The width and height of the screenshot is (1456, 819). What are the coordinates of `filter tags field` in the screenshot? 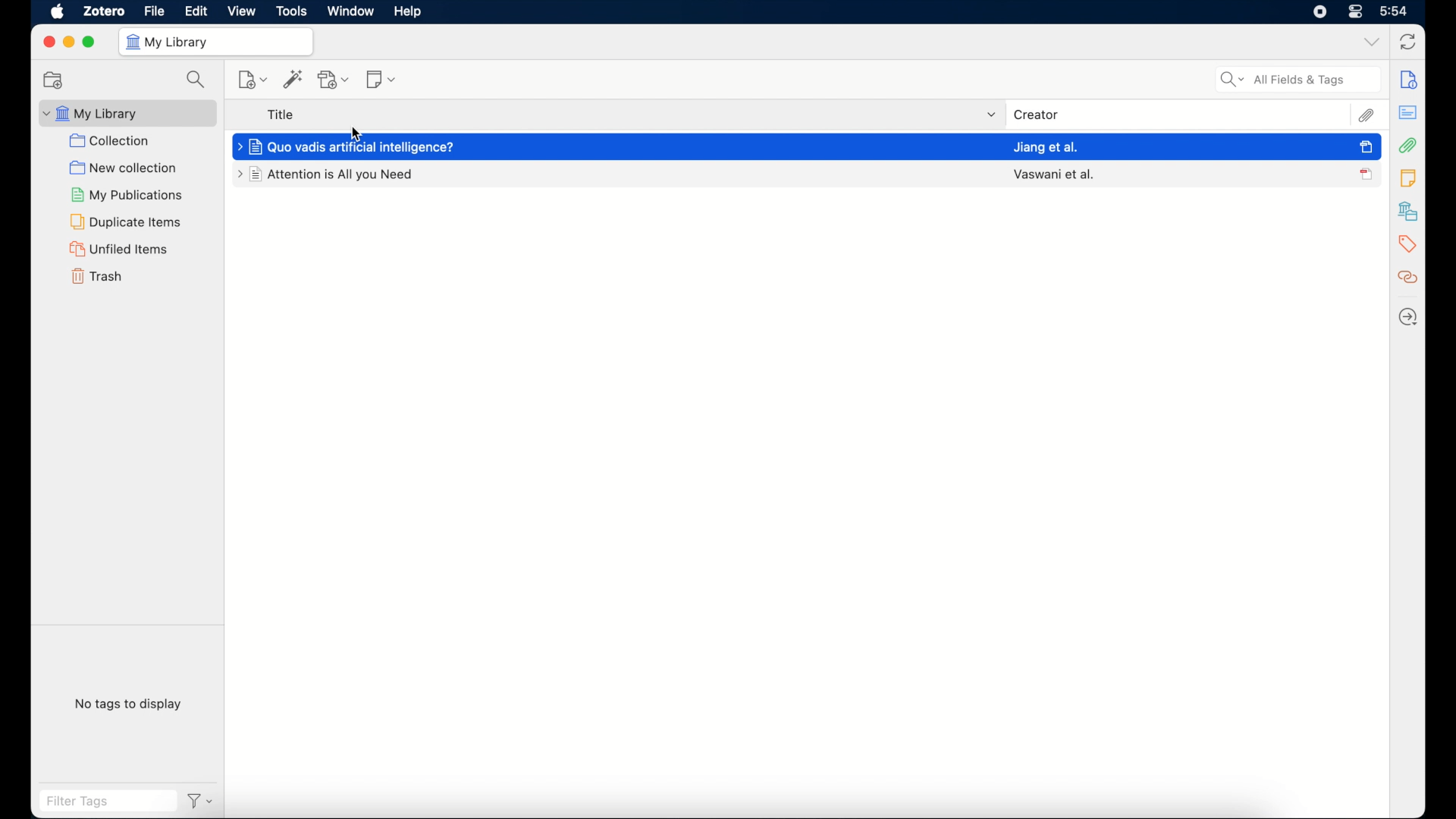 It's located at (108, 801).